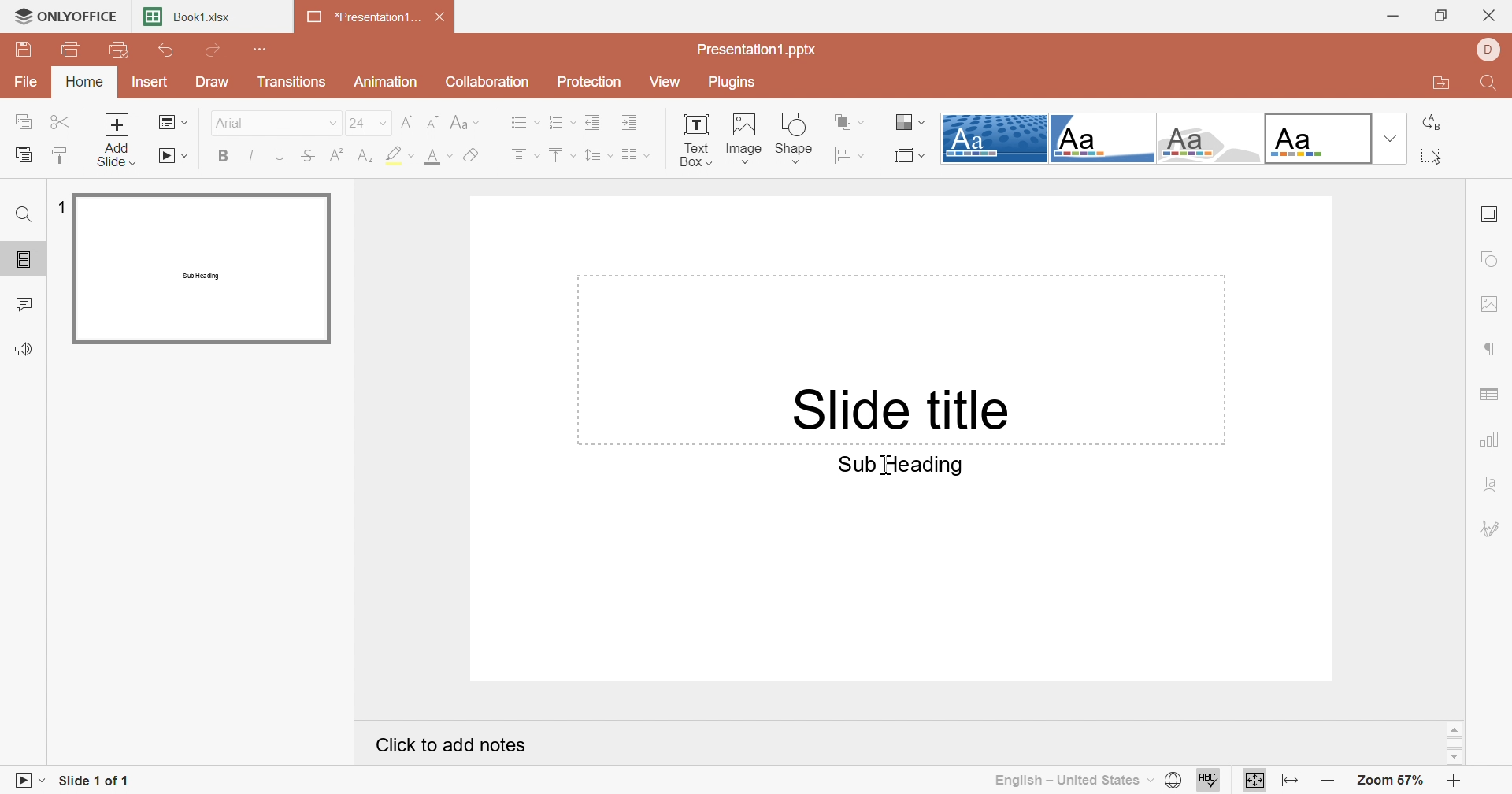 Image resolution: width=1512 pixels, height=794 pixels. What do you see at coordinates (368, 122) in the screenshot?
I see `24` at bounding box center [368, 122].